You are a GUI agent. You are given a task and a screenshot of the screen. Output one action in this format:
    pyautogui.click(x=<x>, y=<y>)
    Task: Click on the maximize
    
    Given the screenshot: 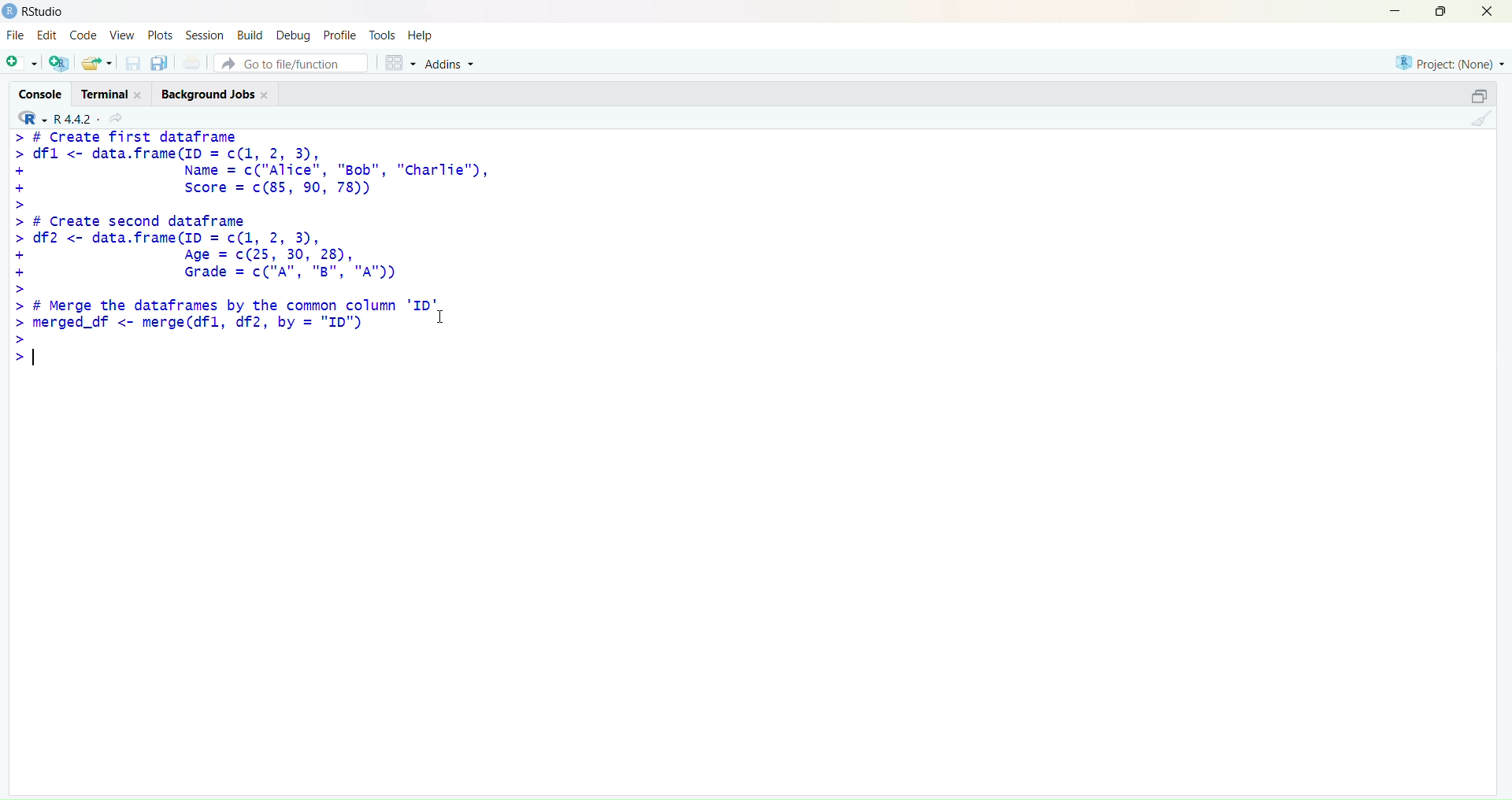 What is the action you would take?
    pyautogui.click(x=1479, y=94)
    